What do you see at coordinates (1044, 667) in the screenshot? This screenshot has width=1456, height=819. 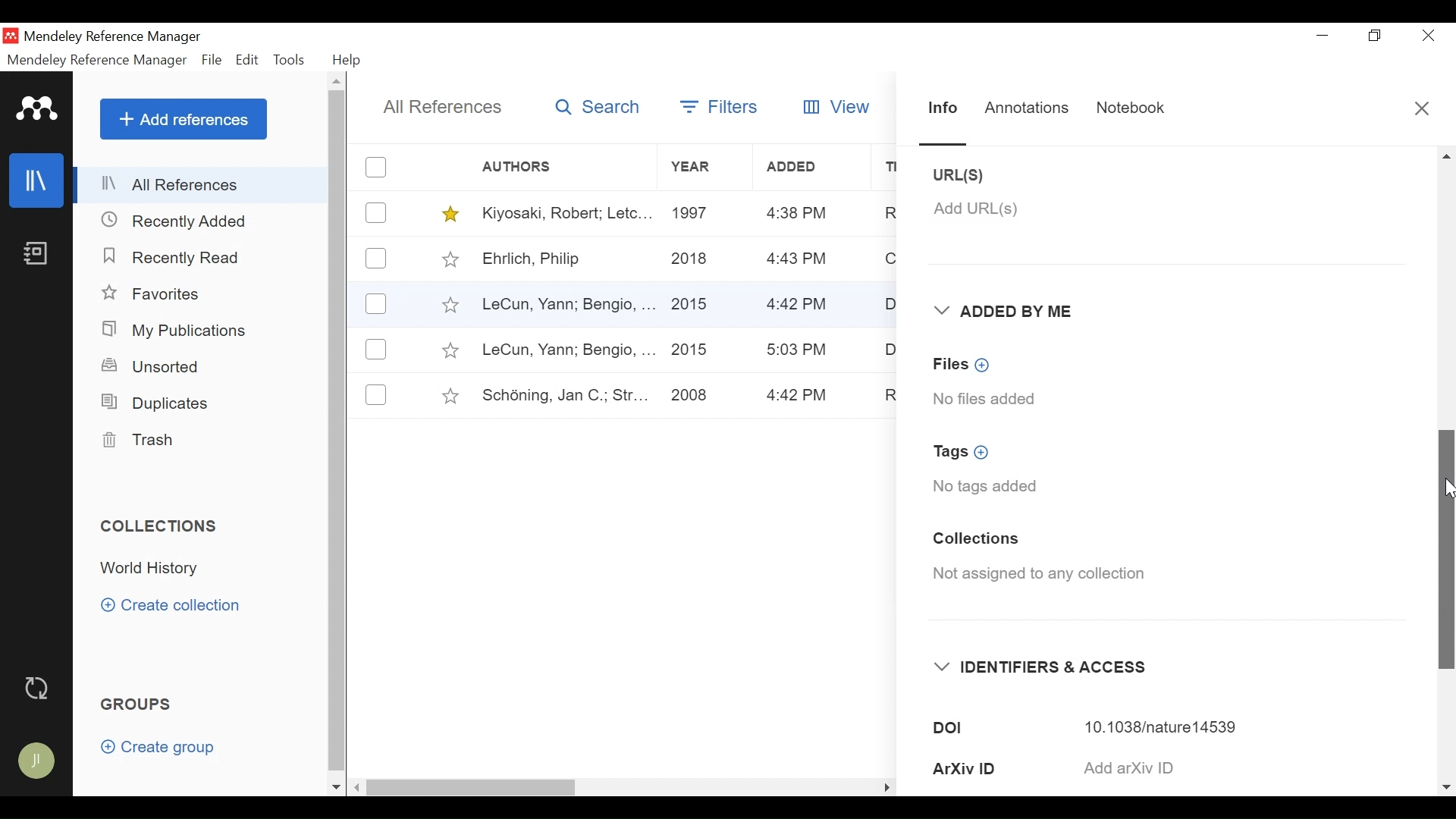 I see `Identifiers & Access` at bounding box center [1044, 667].